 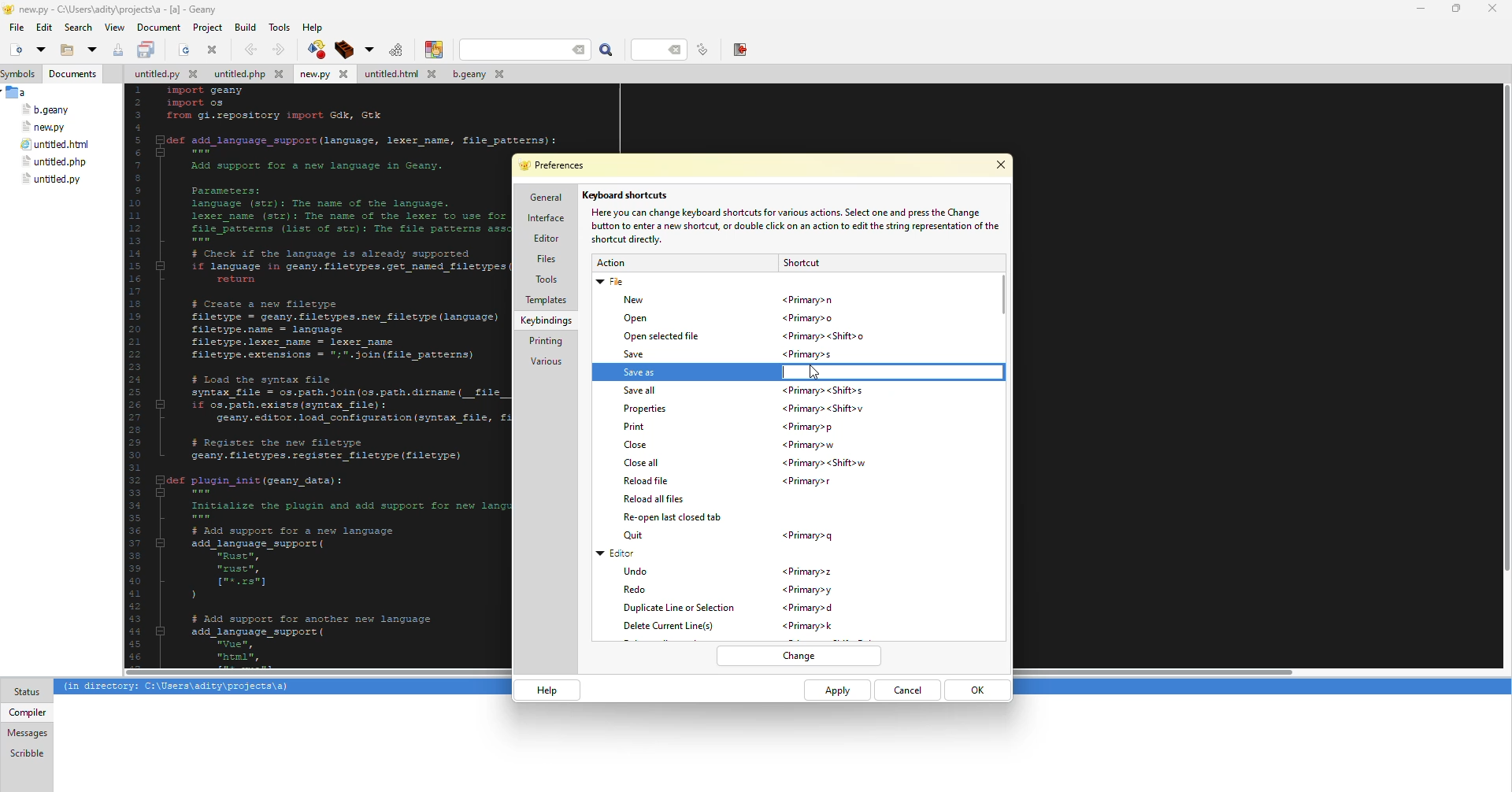 What do you see at coordinates (702, 50) in the screenshot?
I see `line number` at bounding box center [702, 50].